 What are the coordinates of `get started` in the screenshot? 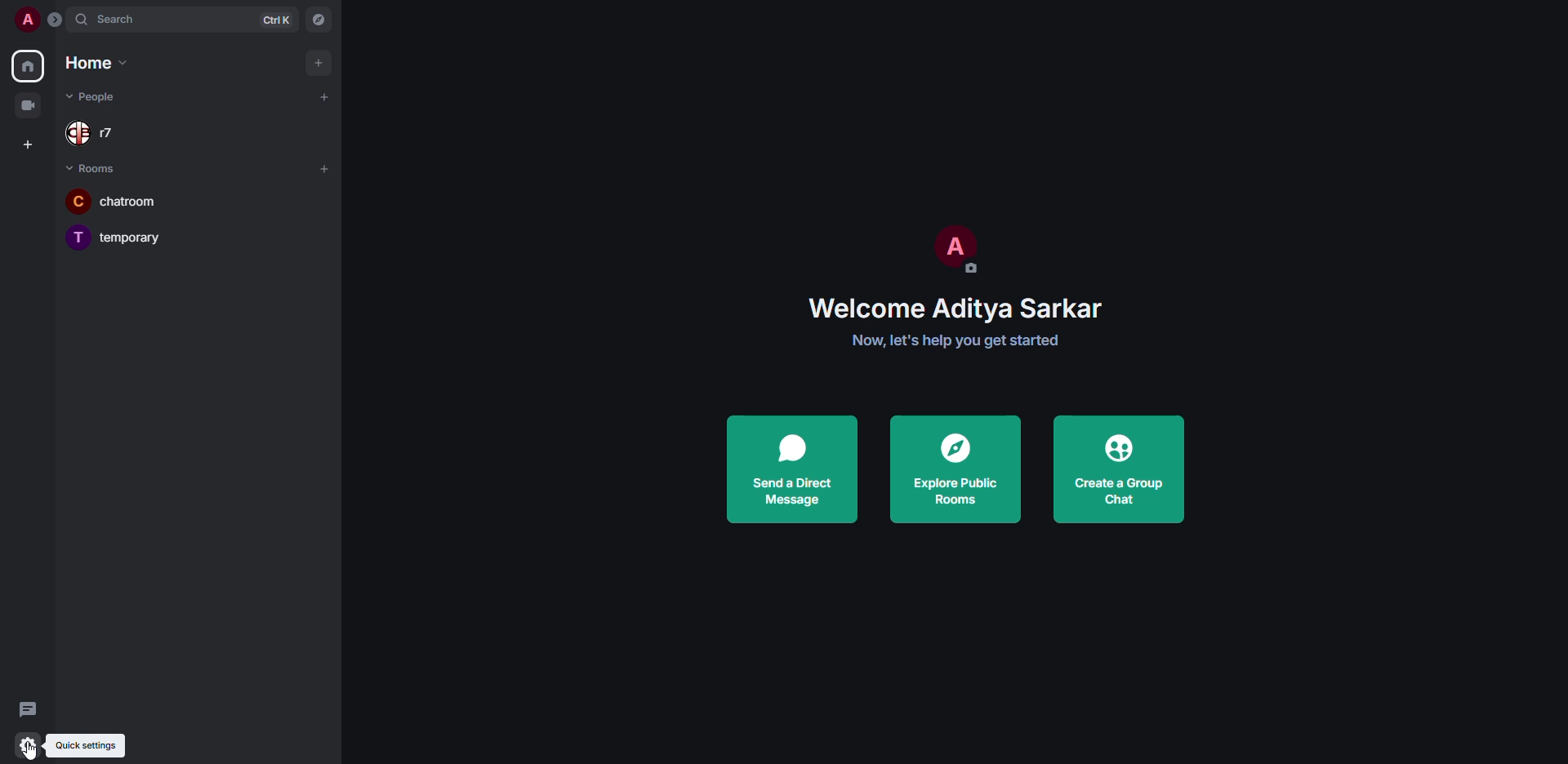 It's located at (956, 340).